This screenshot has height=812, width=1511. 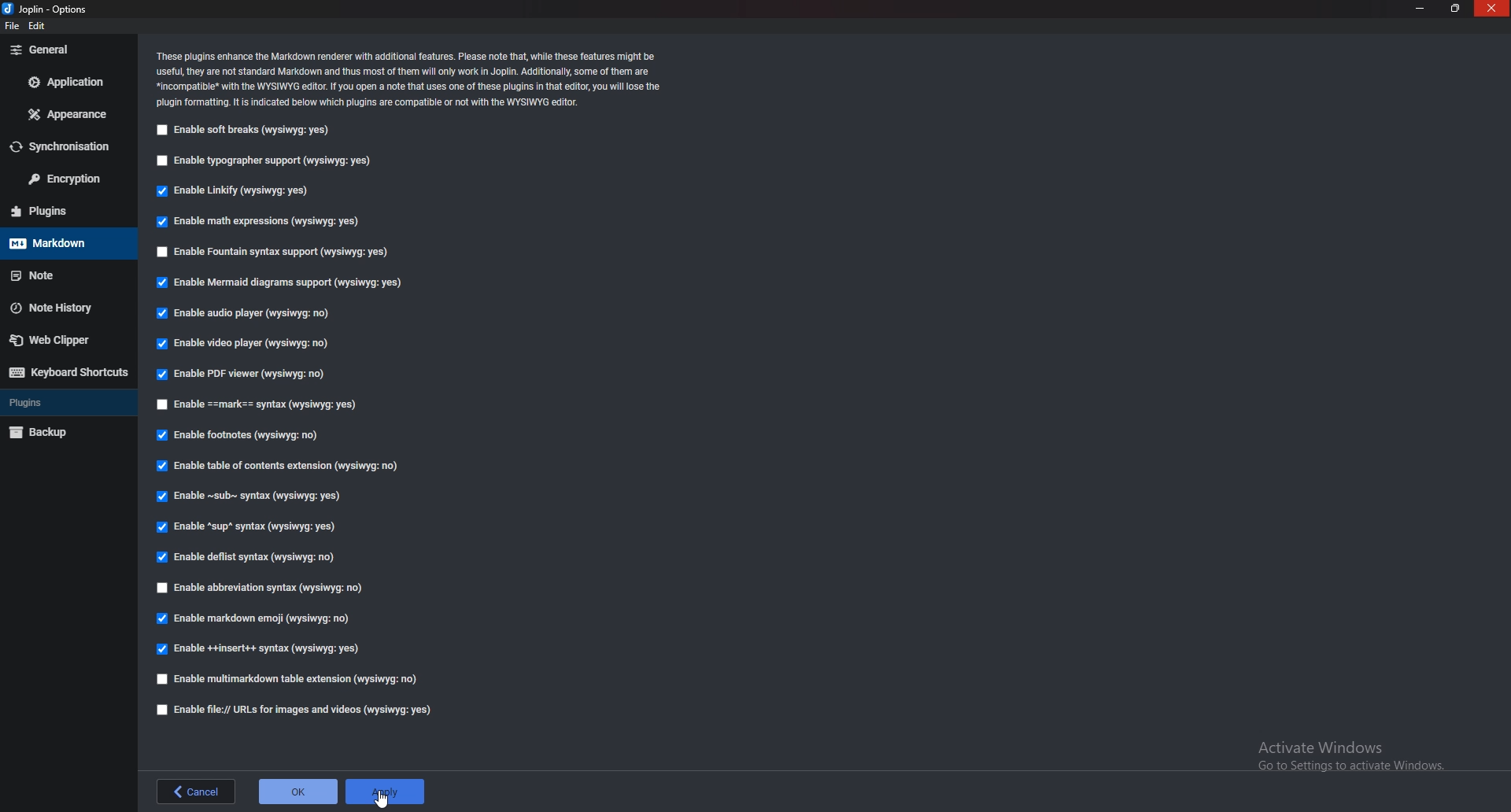 I want to click on Back up, so click(x=51, y=434).